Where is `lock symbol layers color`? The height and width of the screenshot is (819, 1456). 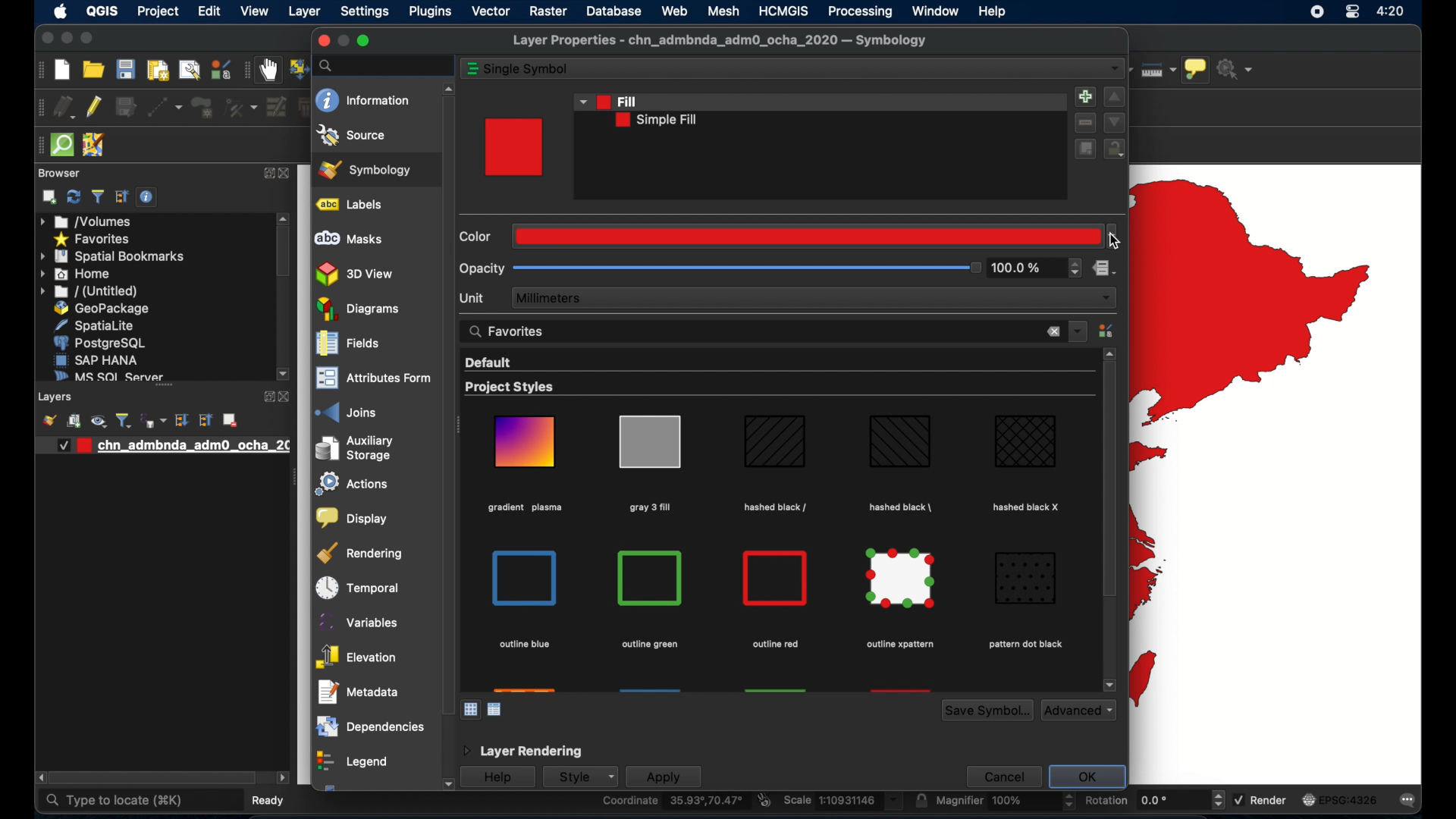
lock symbol layers color is located at coordinates (1116, 150).